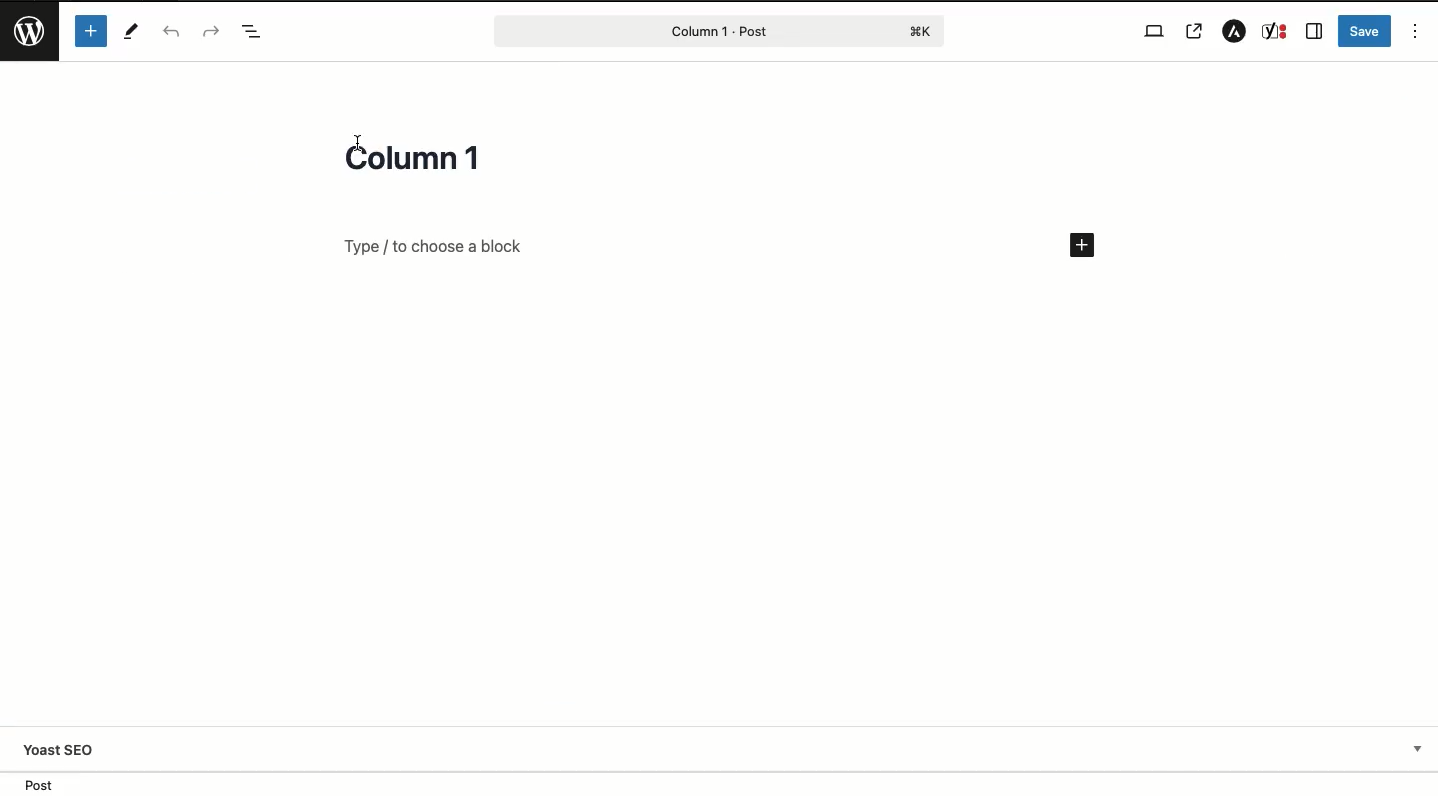 Image resolution: width=1438 pixels, height=796 pixels. Describe the element at coordinates (1230, 32) in the screenshot. I see `Astra` at that location.